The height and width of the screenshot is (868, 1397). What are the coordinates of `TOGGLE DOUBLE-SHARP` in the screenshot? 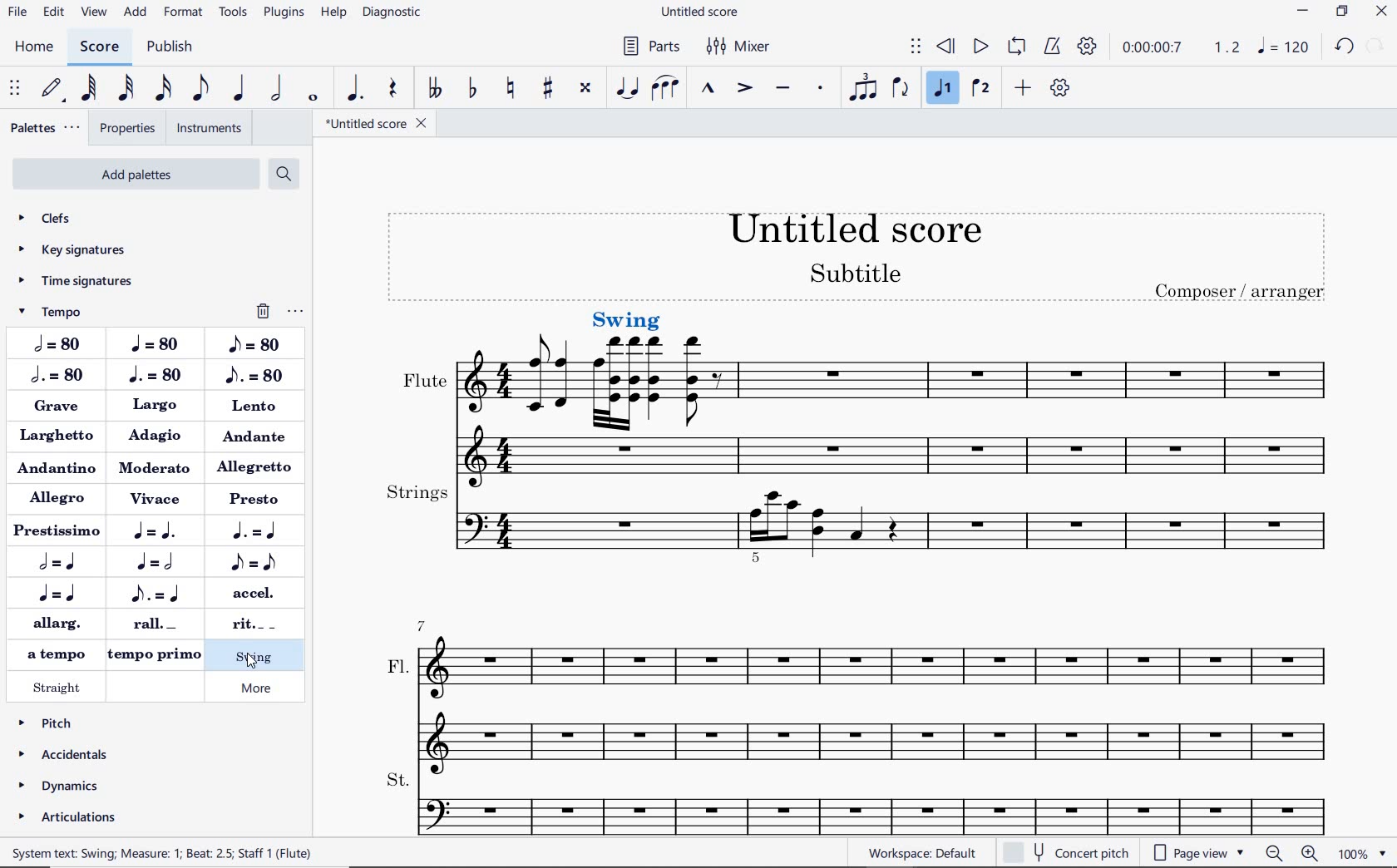 It's located at (585, 89).